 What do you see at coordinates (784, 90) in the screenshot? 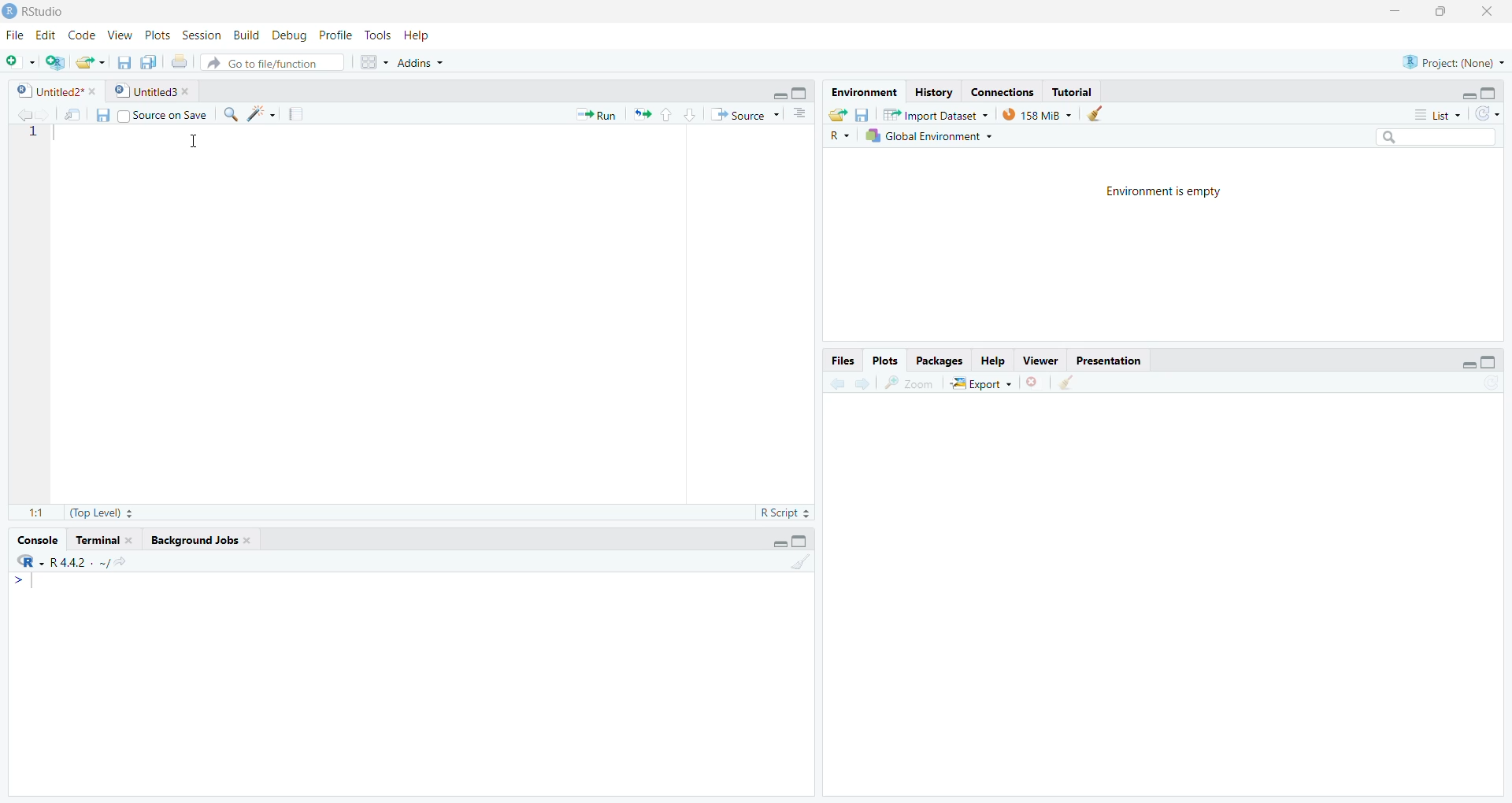
I see `Maximize/minimize` at bounding box center [784, 90].